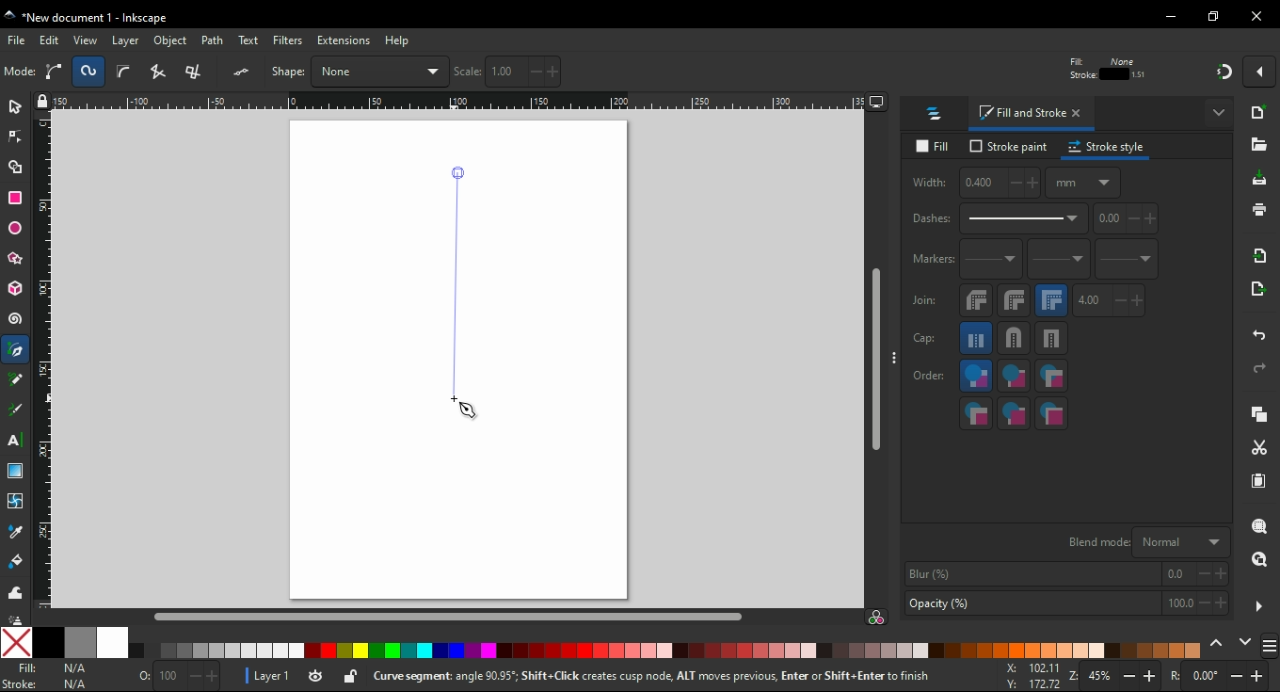 The height and width of the screenshot is (692, 1280). I want to click on previous, so click(1219, 644).